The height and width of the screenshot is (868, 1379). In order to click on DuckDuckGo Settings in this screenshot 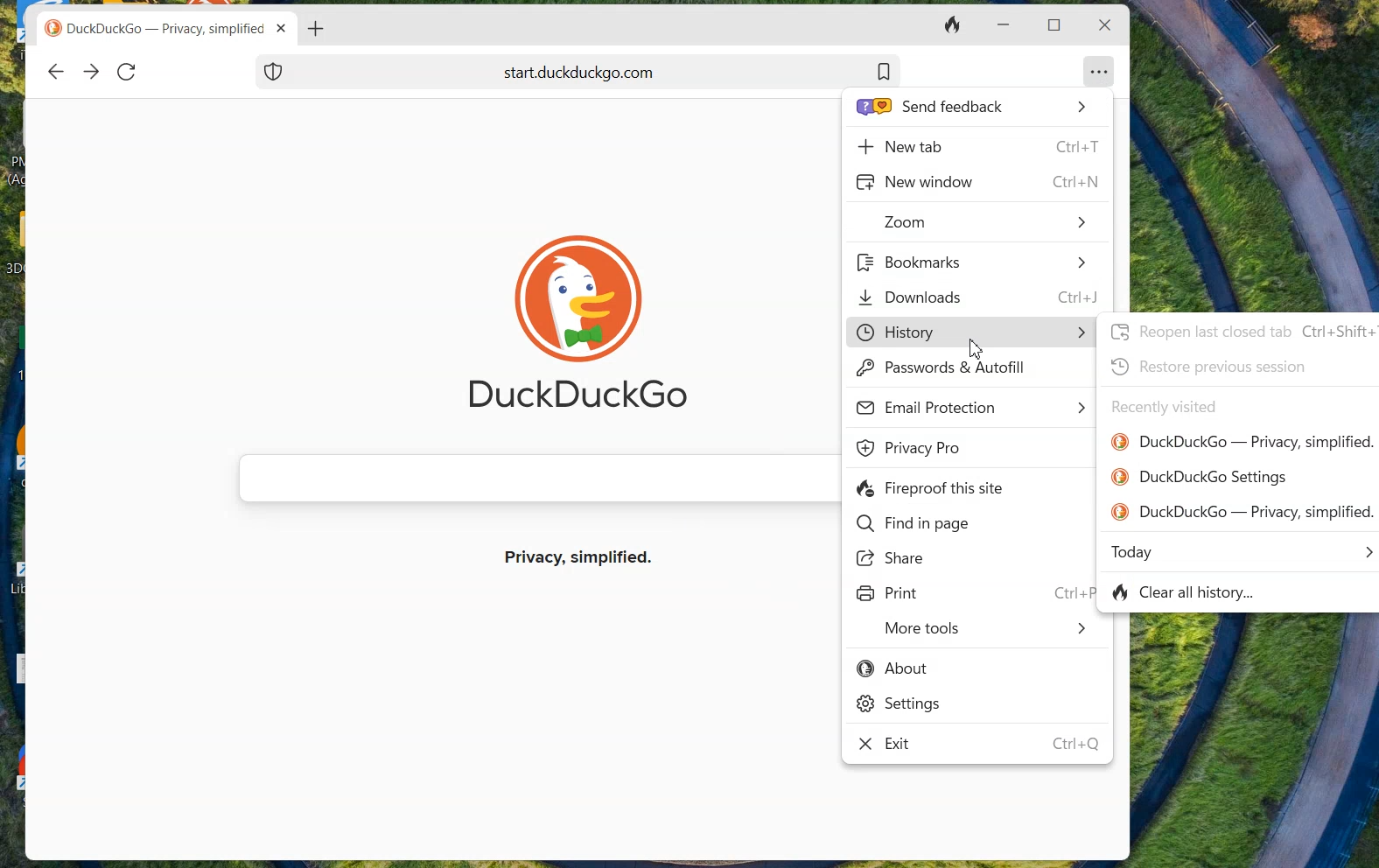, I will do `click(1200, 477)`.